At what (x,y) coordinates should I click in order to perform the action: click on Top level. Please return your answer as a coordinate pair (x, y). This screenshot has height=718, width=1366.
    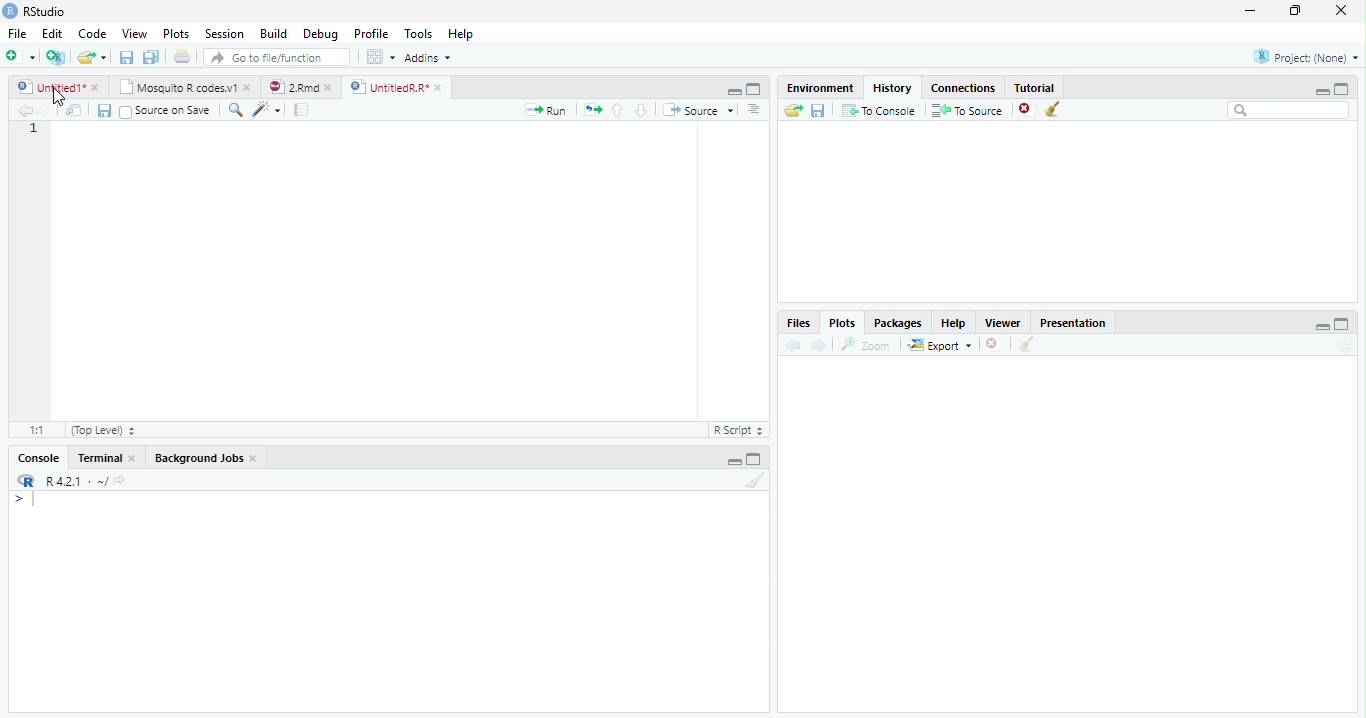
    Looking at the image, I should click on (106, 431).